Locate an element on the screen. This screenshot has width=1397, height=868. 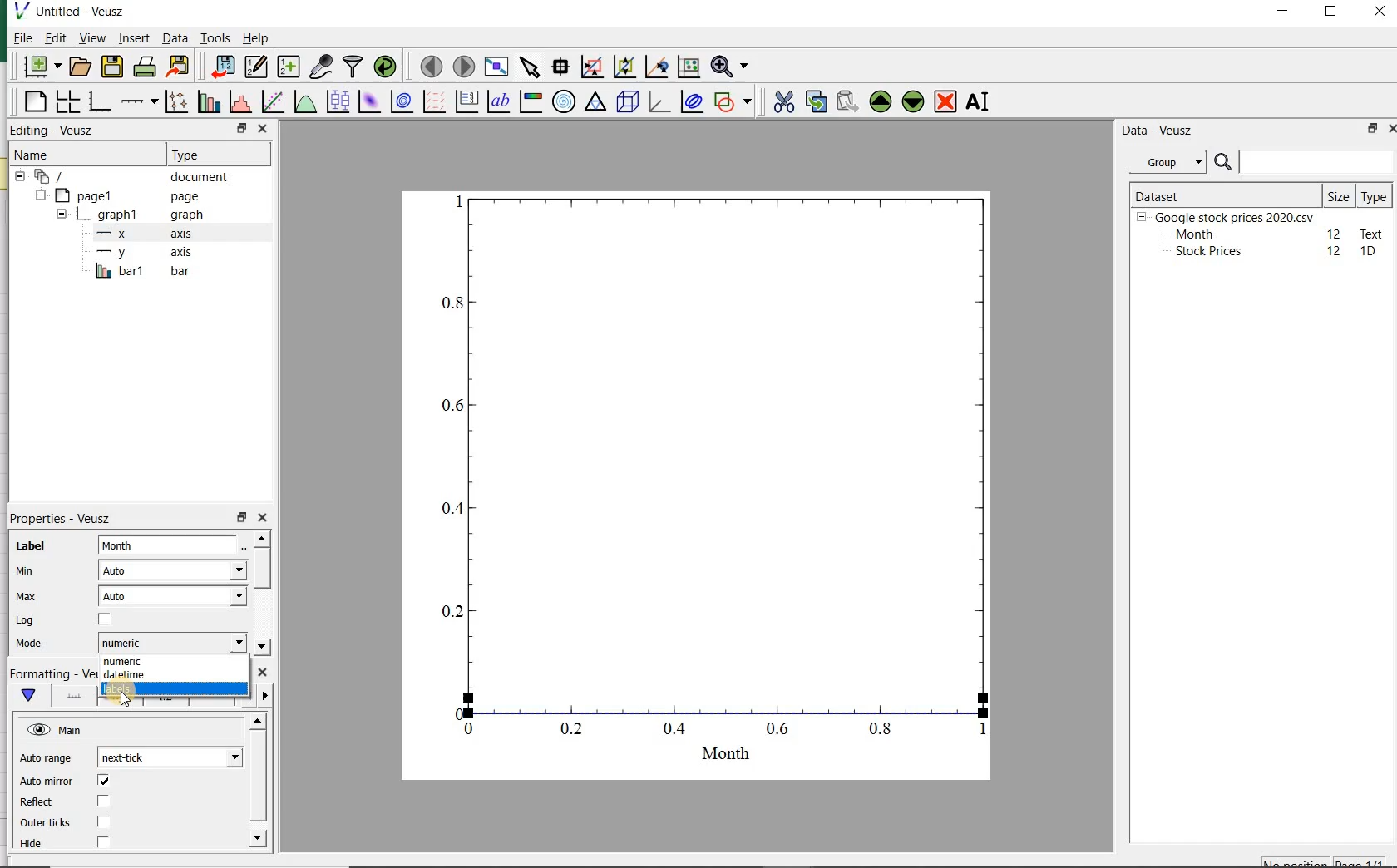
select items from the graph or scroll is located at coordinates (529, 67).